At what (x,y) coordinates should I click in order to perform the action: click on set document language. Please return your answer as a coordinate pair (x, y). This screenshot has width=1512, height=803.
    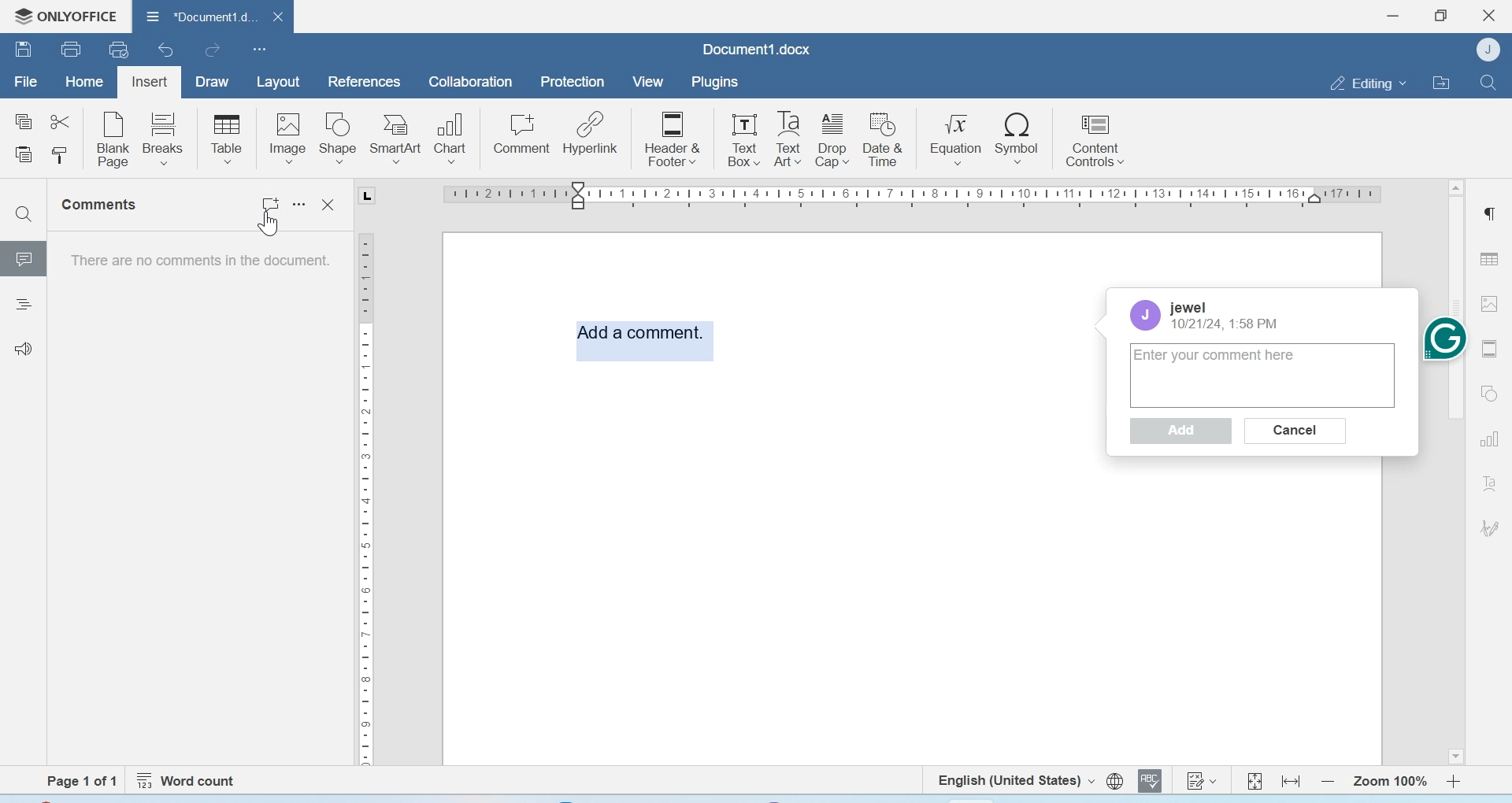
    Looking at the image, I should click on (1115, 781).